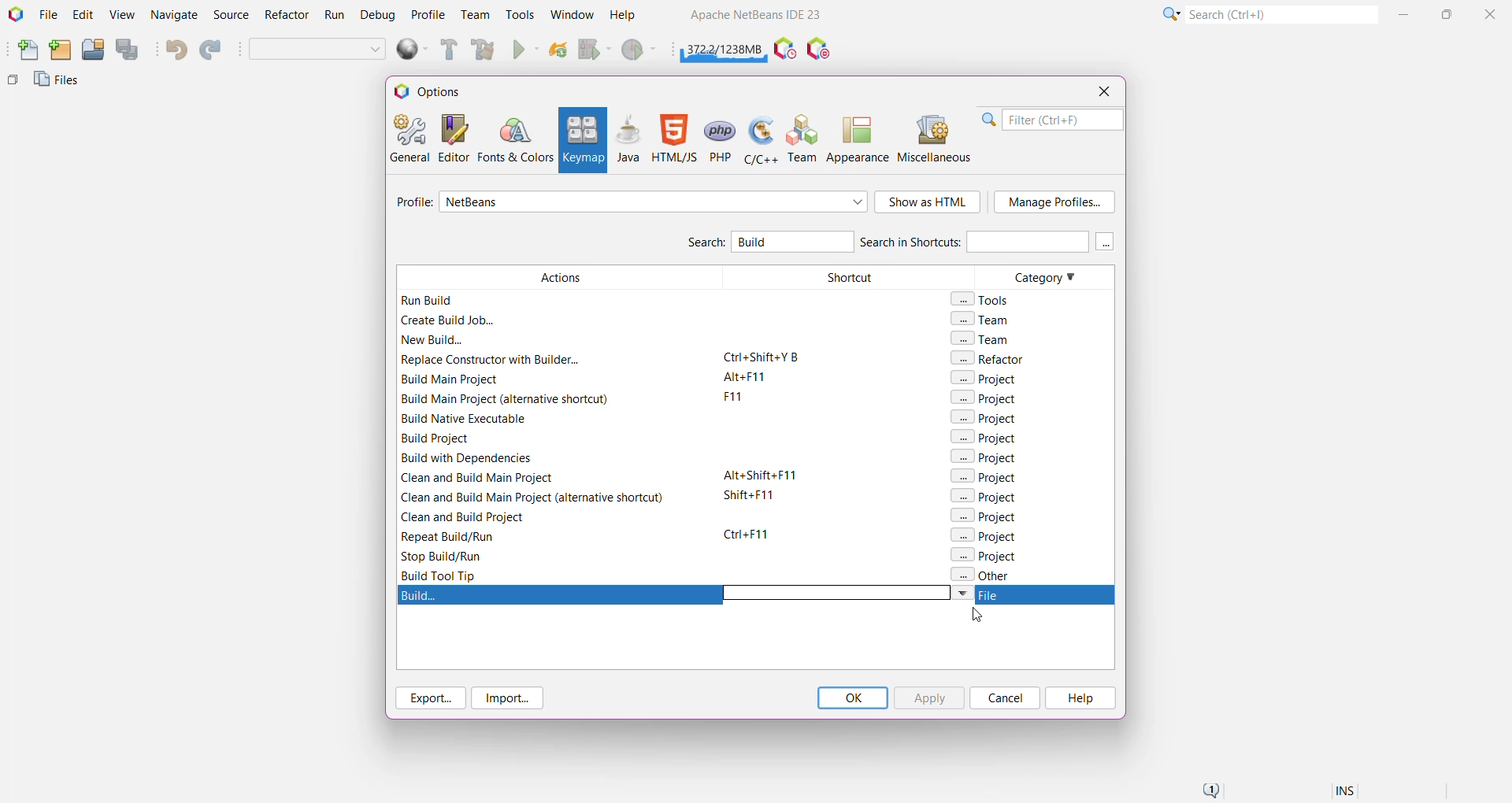 The width and height of the screenshot is (1512, 803). I want to click on Options, so click(435, 91).